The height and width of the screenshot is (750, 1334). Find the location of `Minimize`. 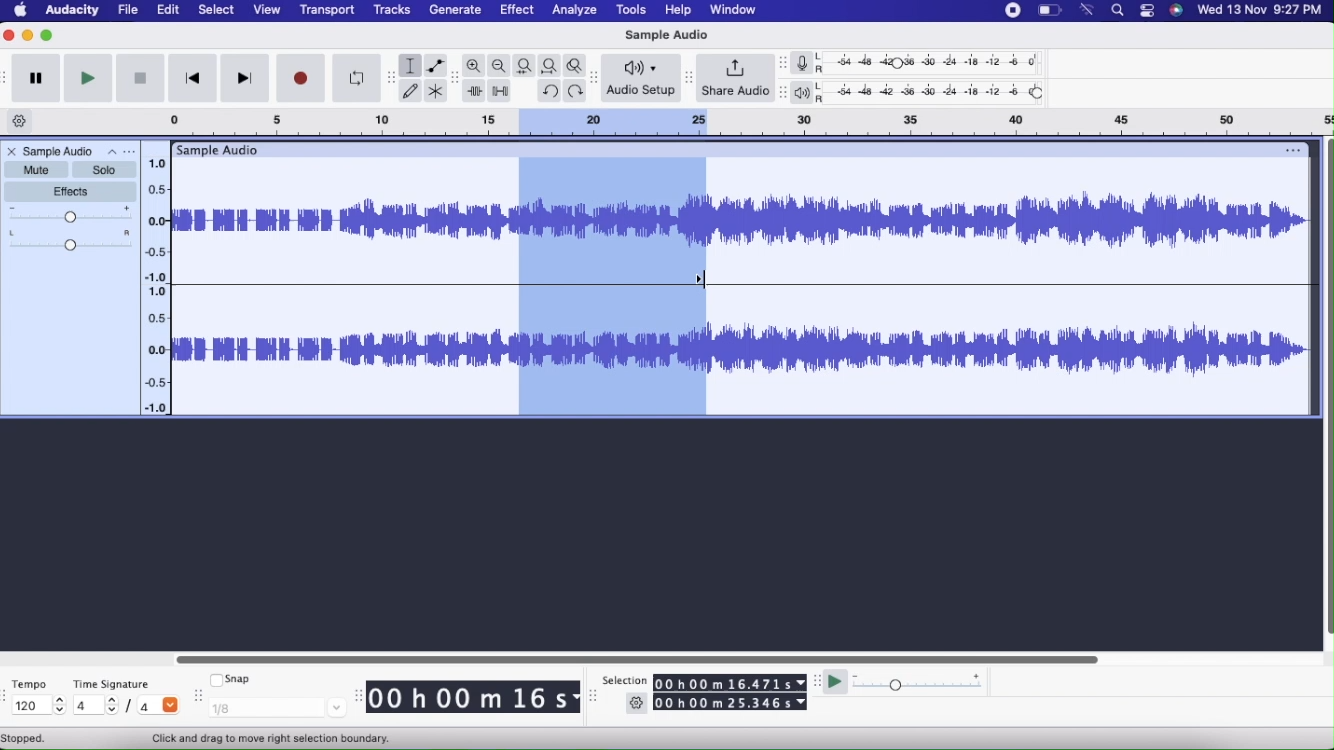

Minimize is located at coordinates (28, 35).